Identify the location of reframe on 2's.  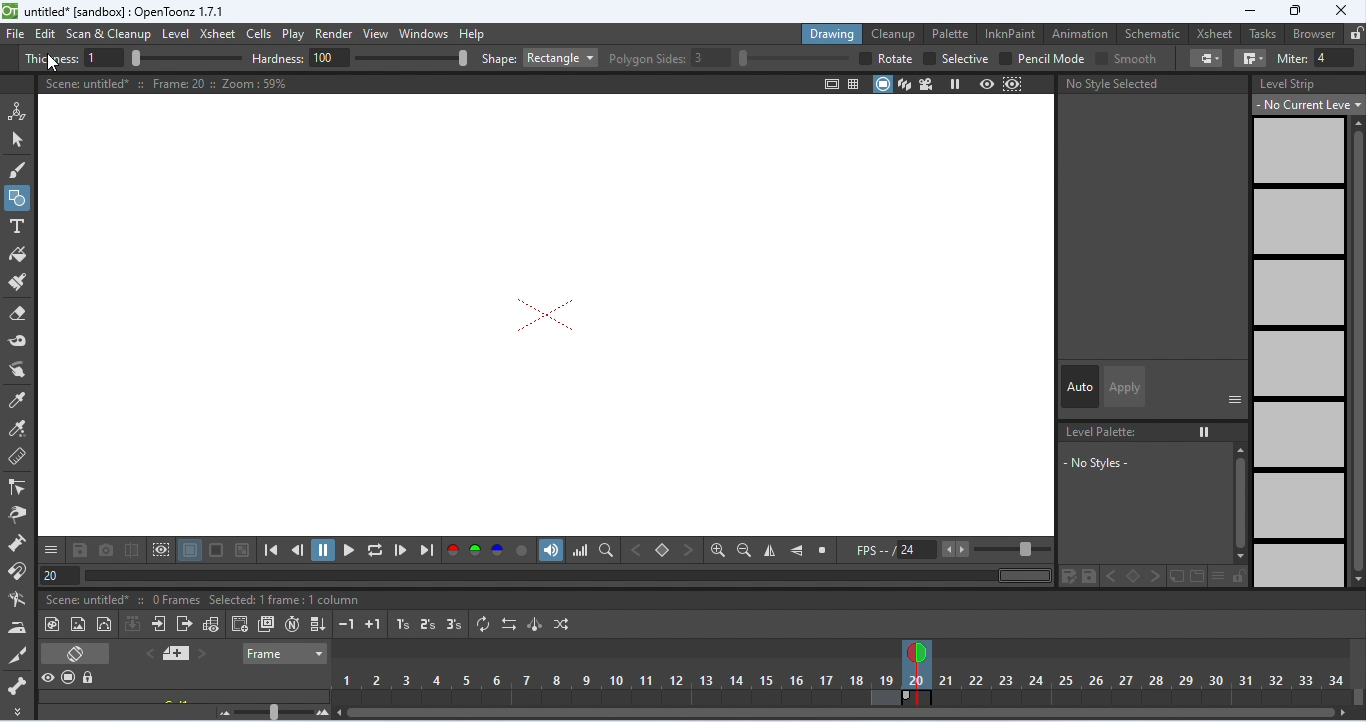
(428, 623).